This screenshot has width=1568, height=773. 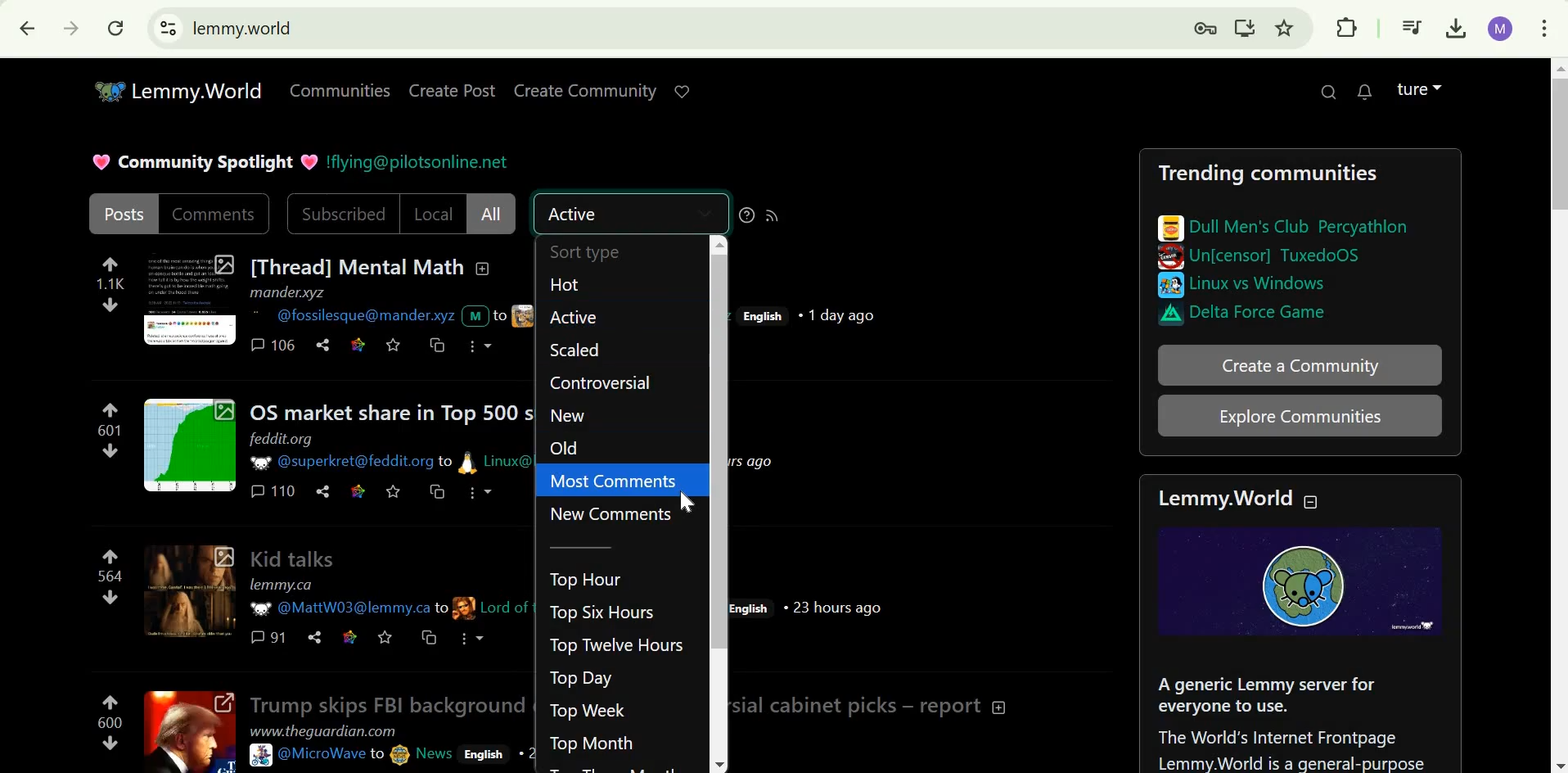 What do you see at coordinates (999, 705) in the screenshot?
I see `Collapse` at bounding box center [999, 705].